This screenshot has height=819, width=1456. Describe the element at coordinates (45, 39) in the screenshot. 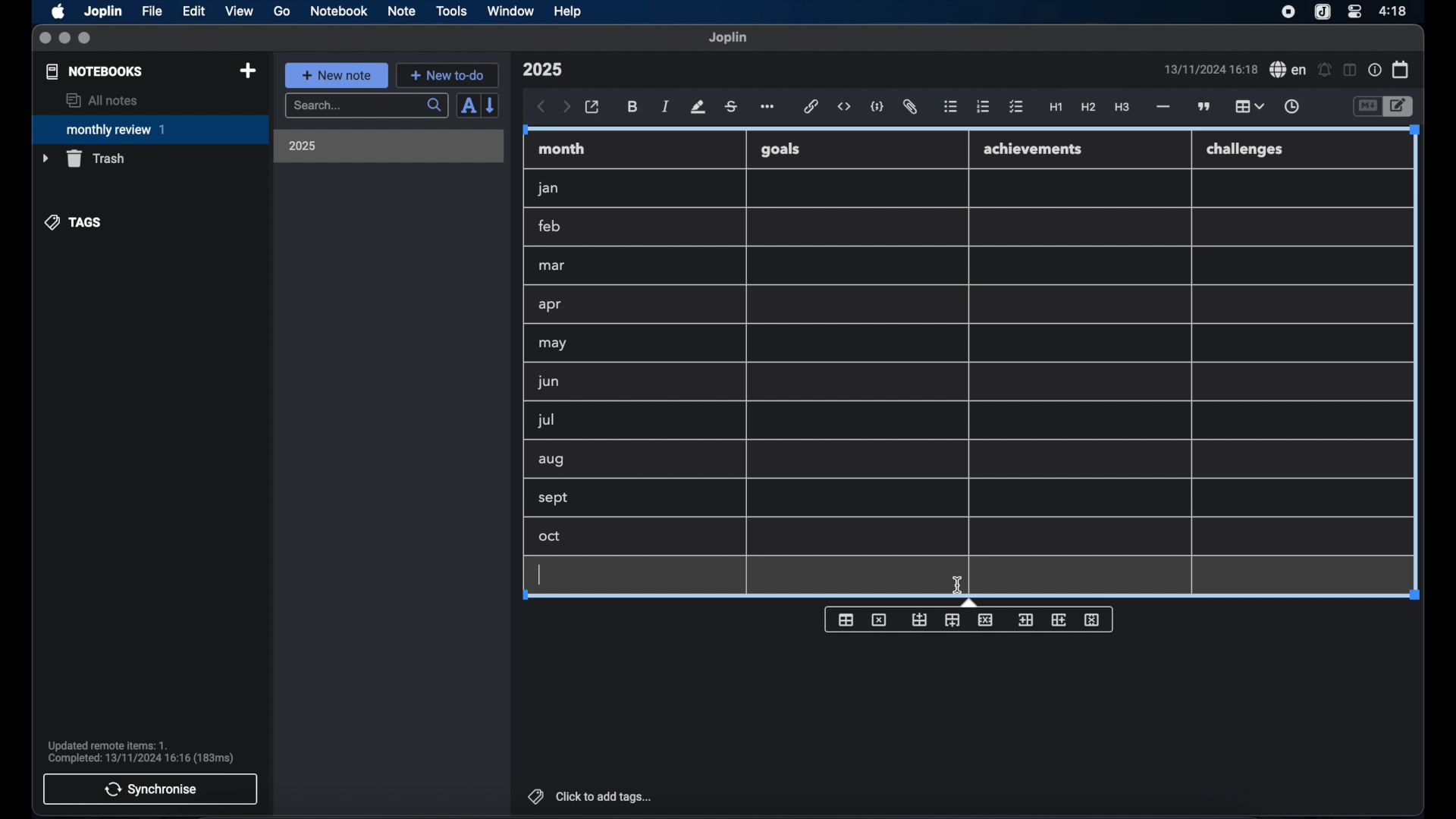

I see `close` at that location.